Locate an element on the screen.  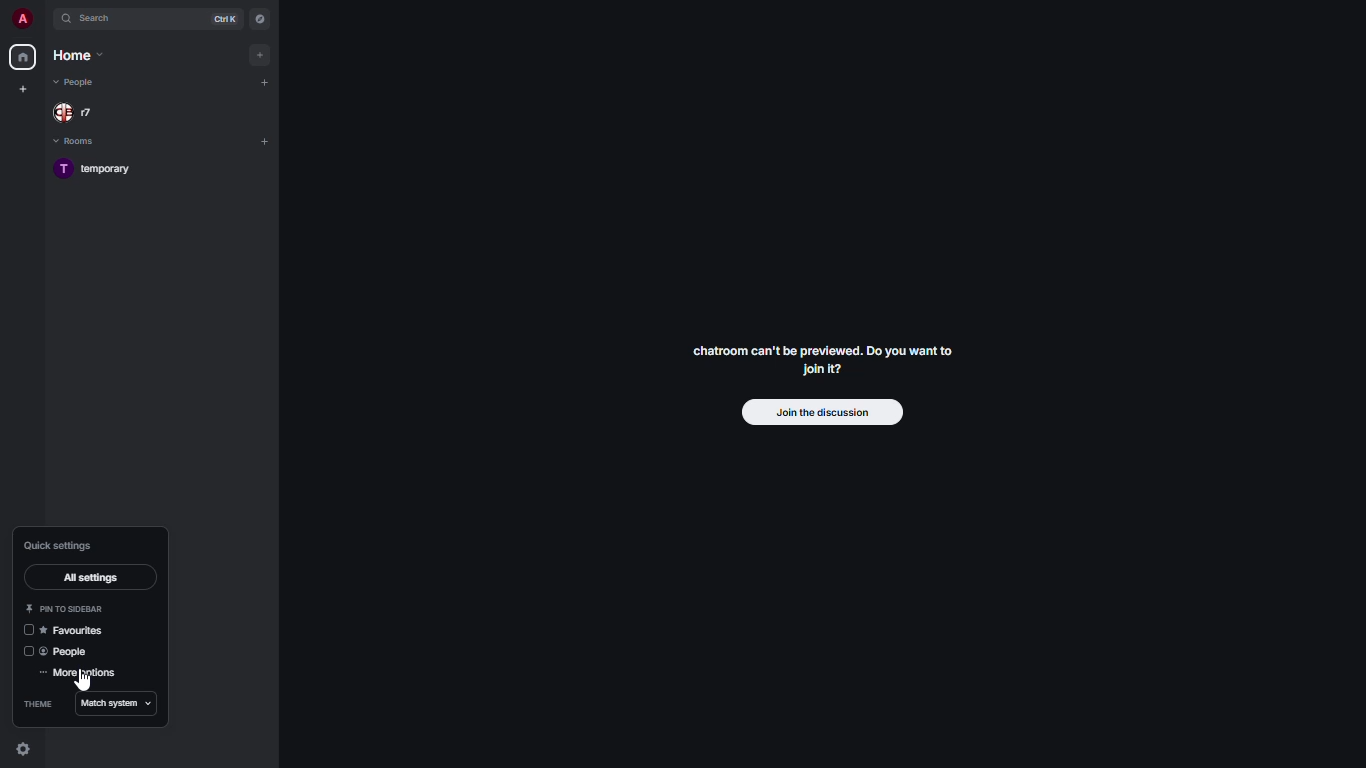
people is located at coordinates (69, 653).